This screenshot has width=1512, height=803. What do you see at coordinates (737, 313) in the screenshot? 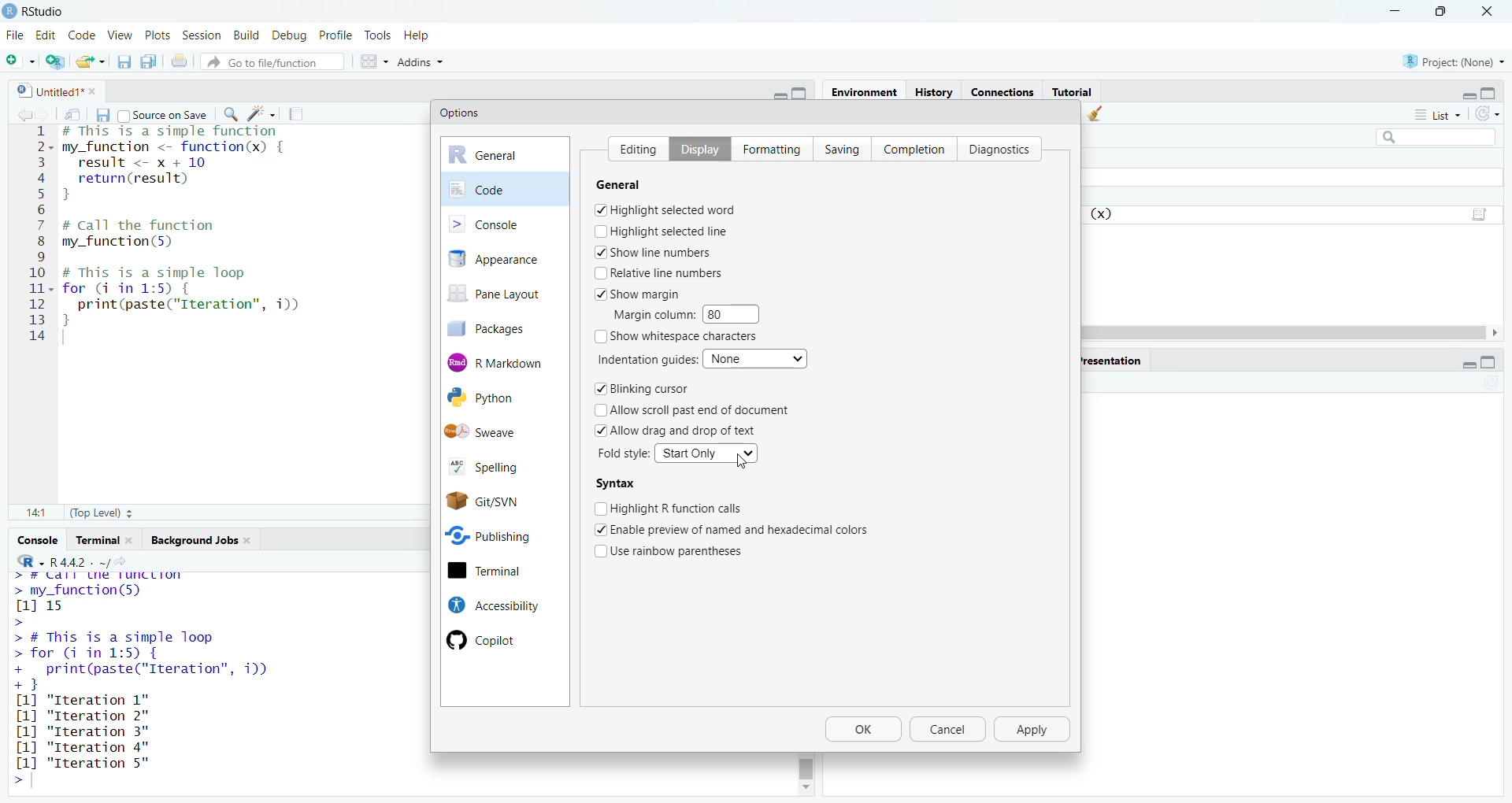
I see `margin input value` at bounding box center [737, 313].